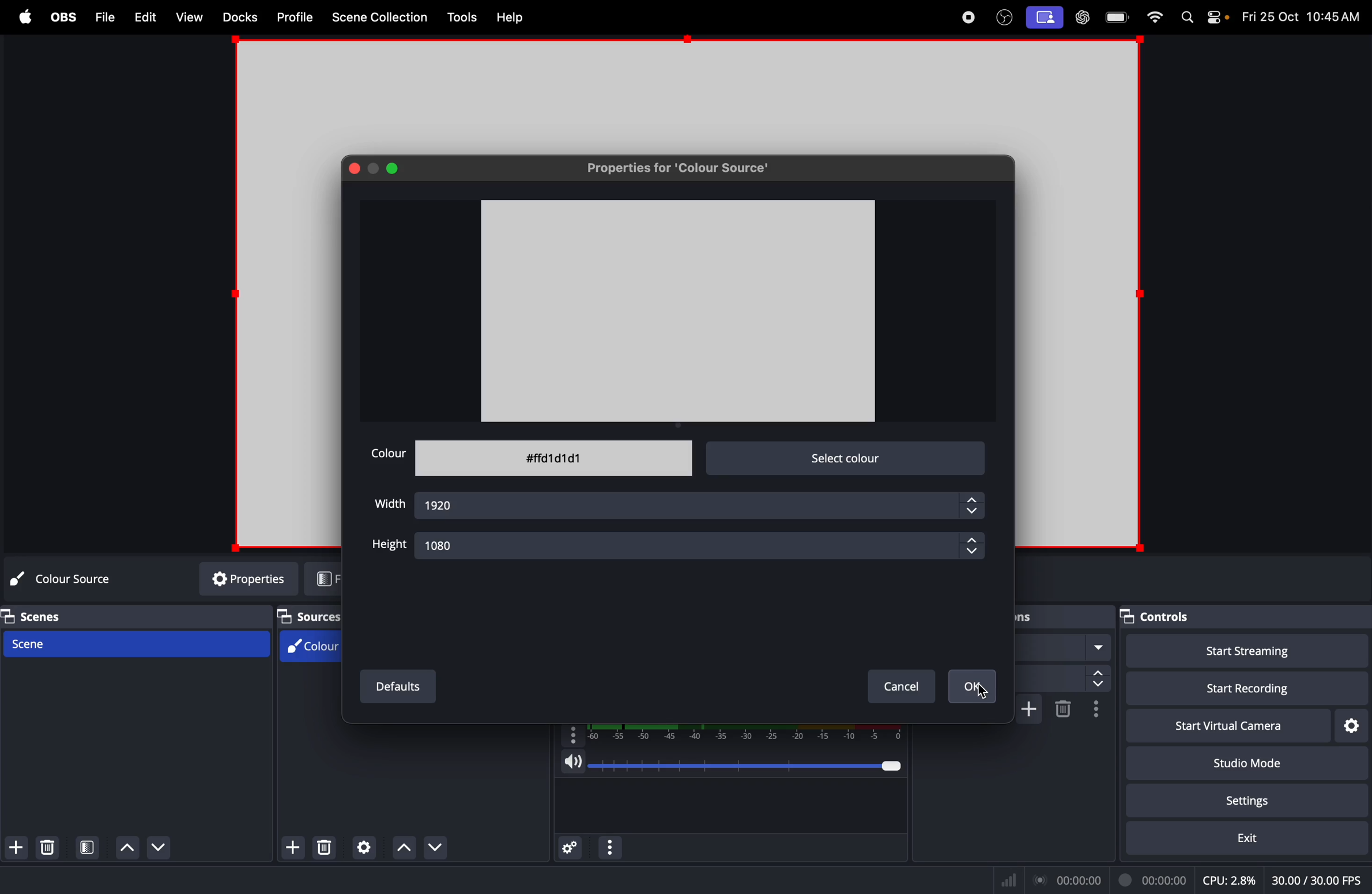 The image size is (1372, 894). What do you see at coordinates (395, 168) in the screenshot?
I see `maximize` at bounding box center [395, 168].